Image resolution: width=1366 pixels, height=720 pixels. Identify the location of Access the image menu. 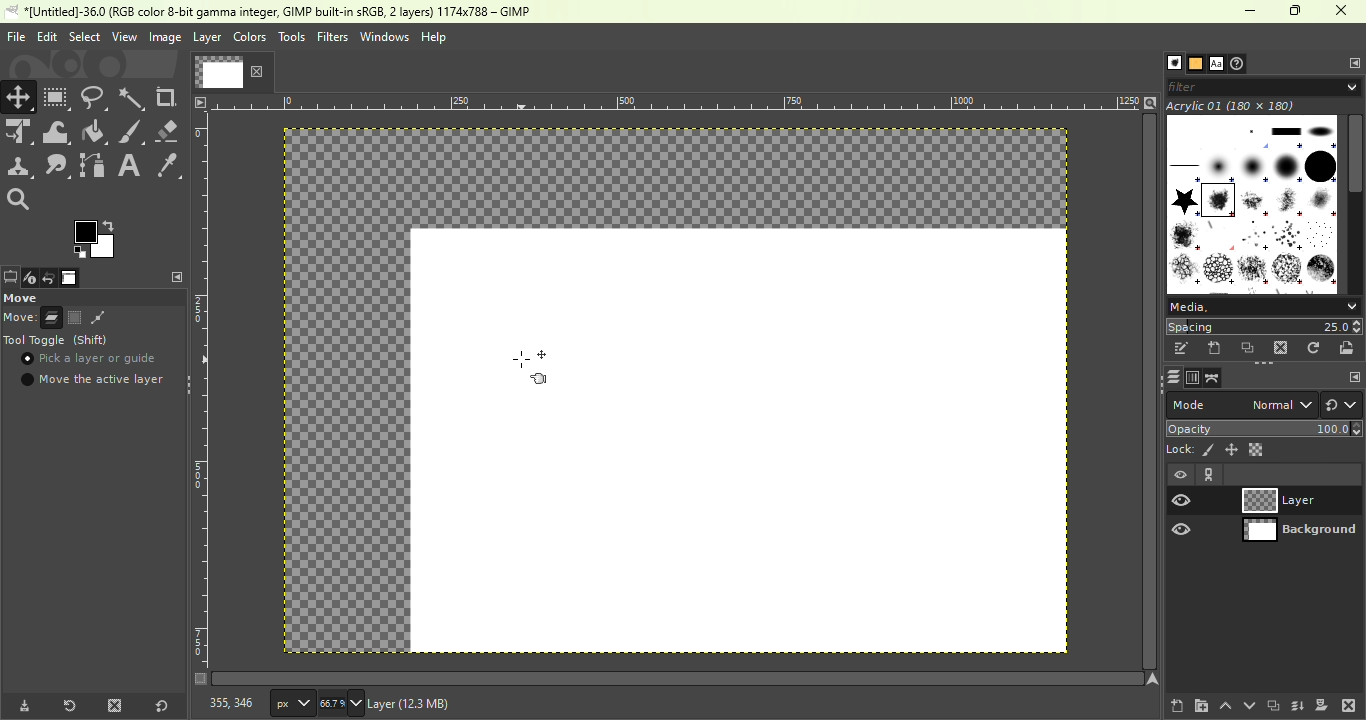
(200, 101).